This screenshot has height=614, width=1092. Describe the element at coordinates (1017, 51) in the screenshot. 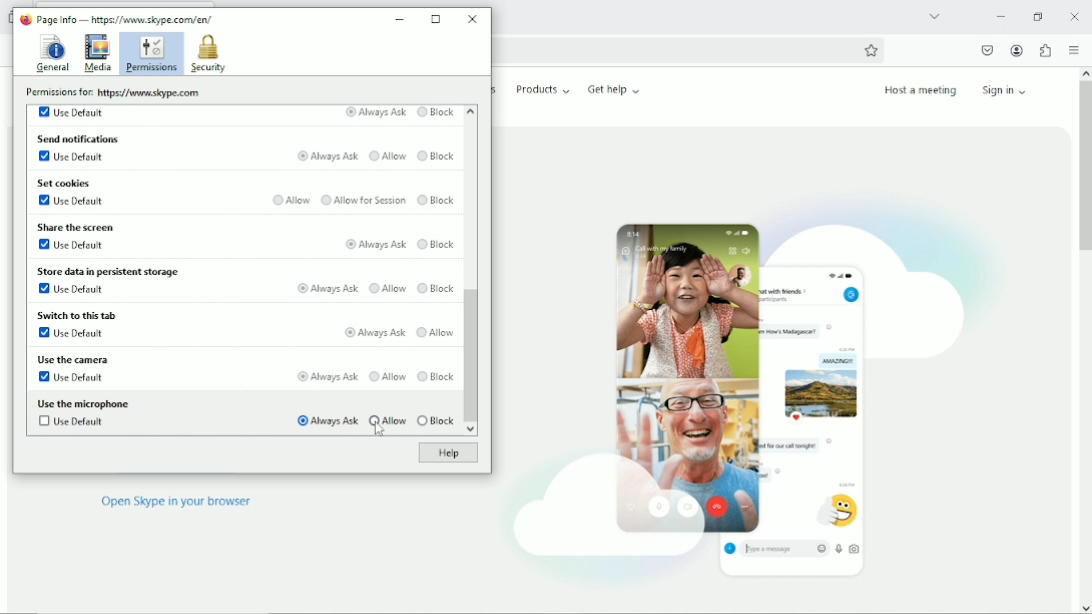

I see `Account` at that location.